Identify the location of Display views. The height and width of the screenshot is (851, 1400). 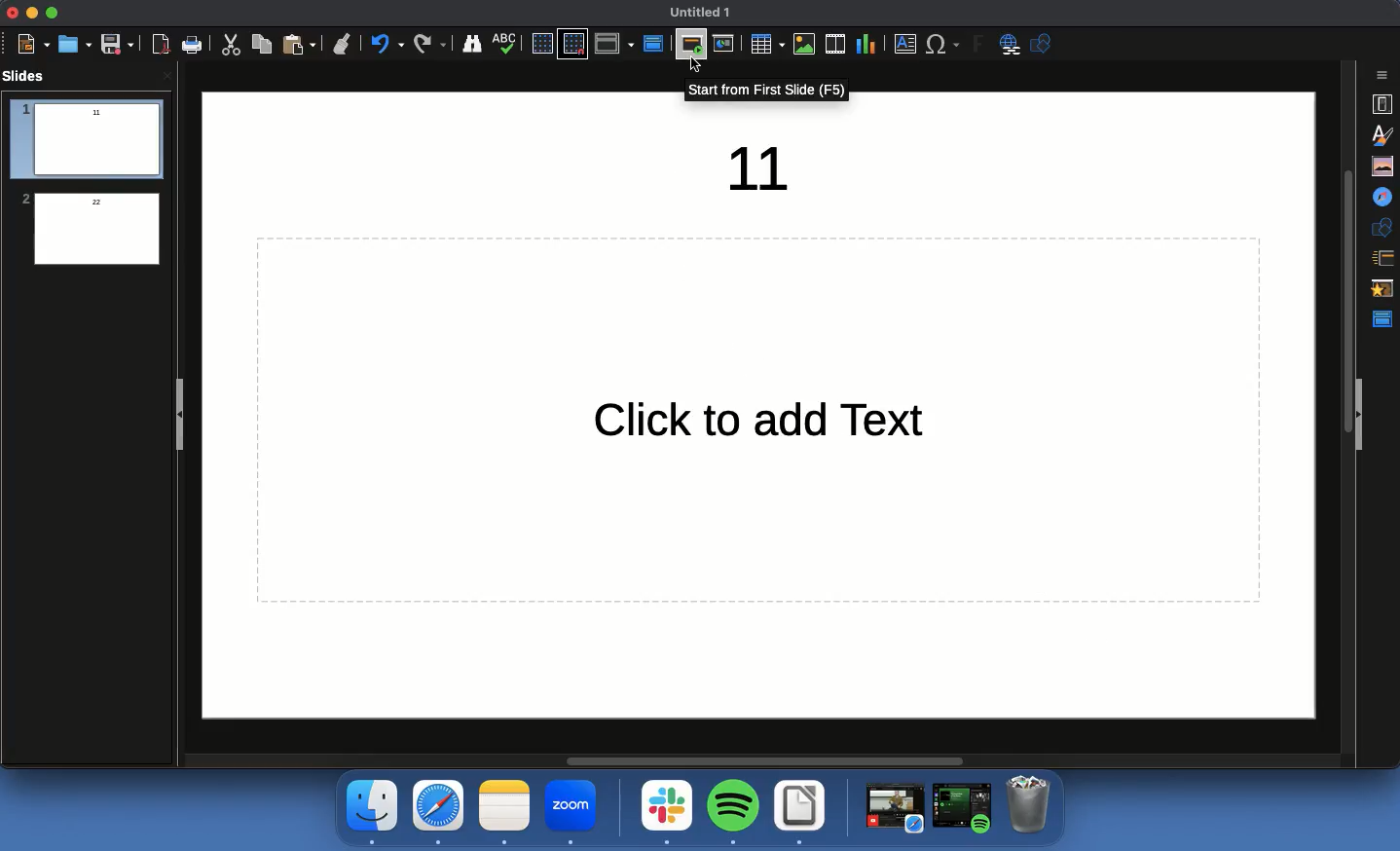
(615, 44).